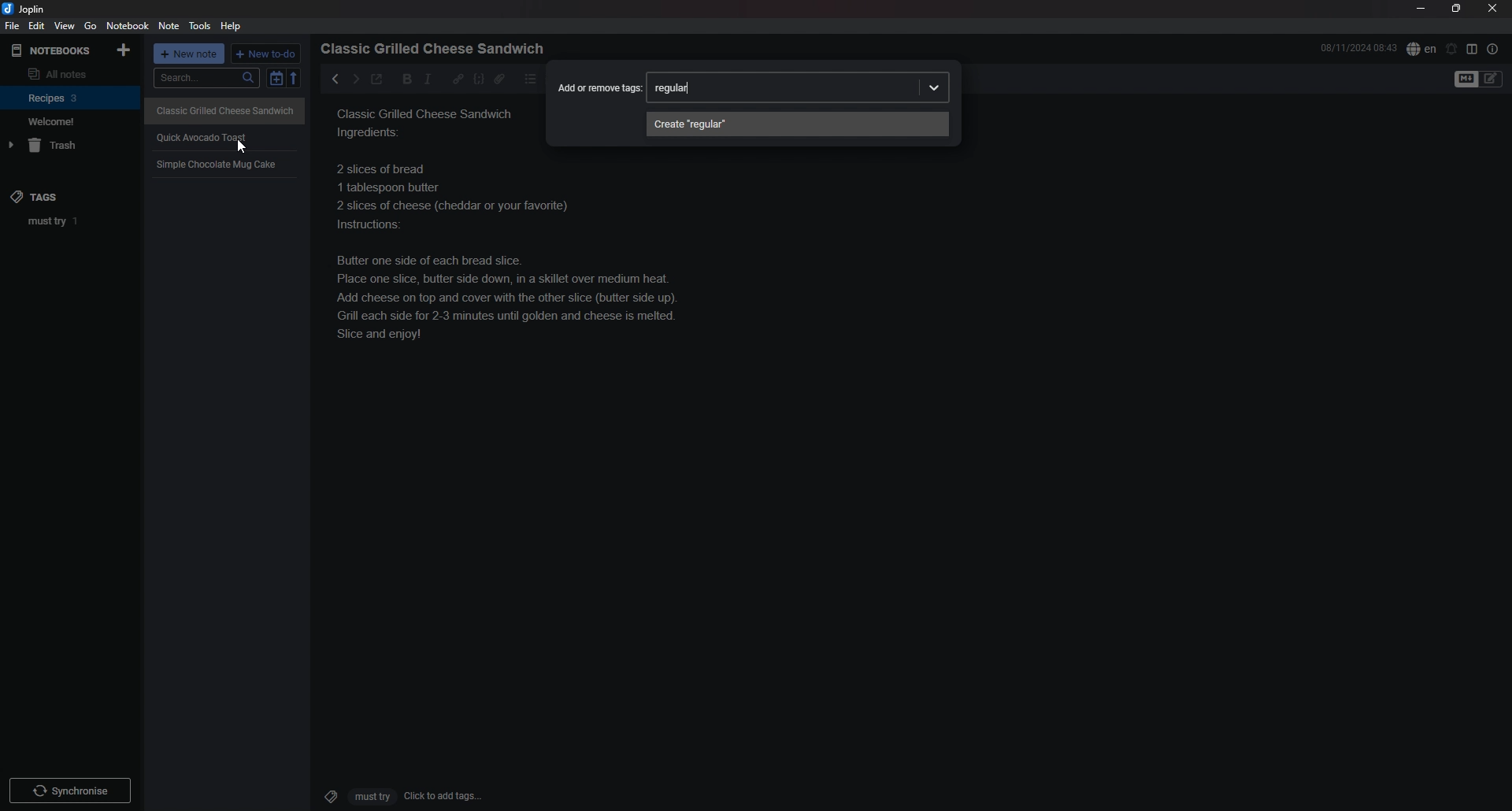  What do you see at coordinates (1358, 47) in the screenshot?
I see `time` at bounding box center [1358, 47].